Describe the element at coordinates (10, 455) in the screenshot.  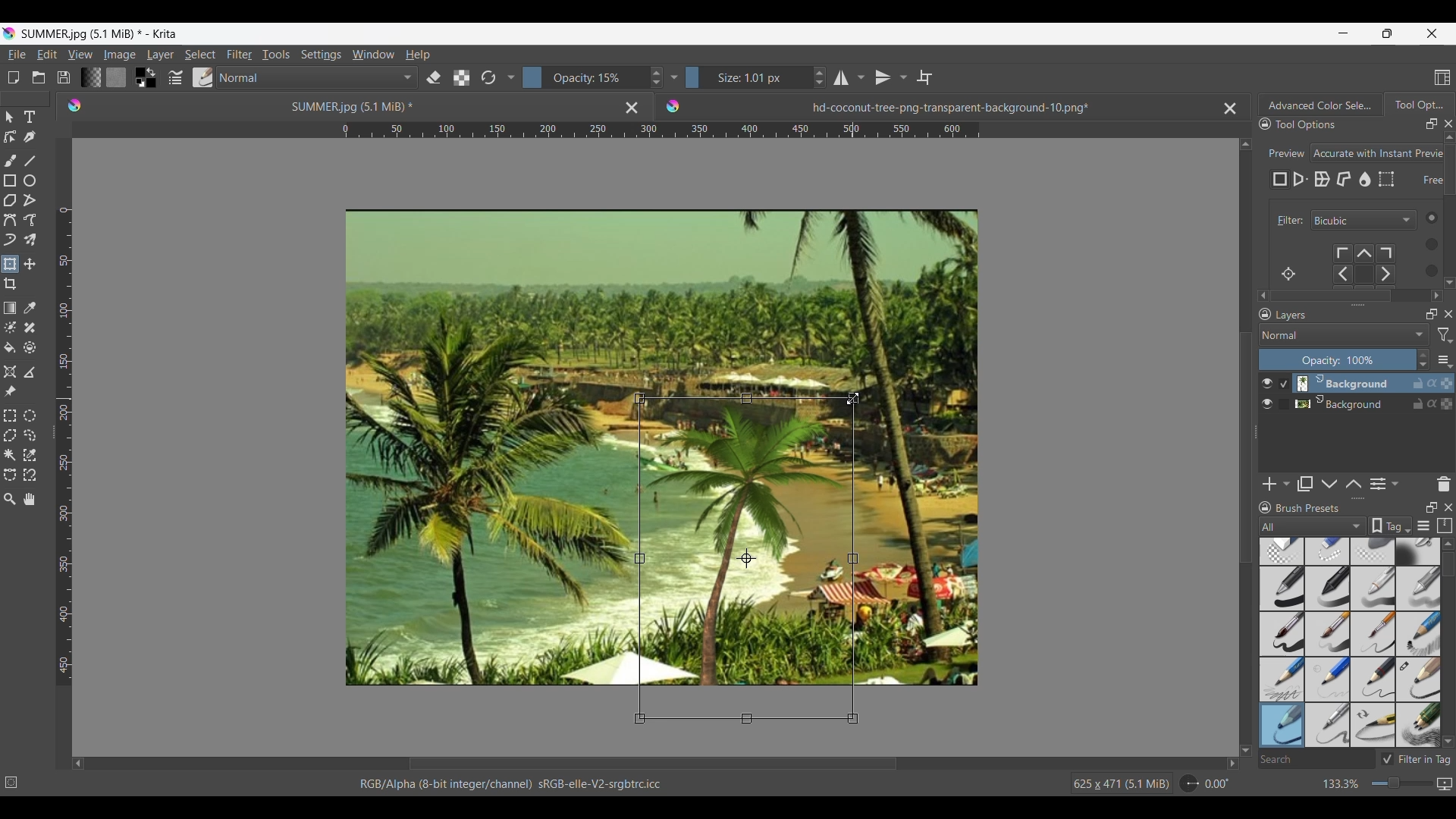
I see `Contiguous selection tool` at that location.